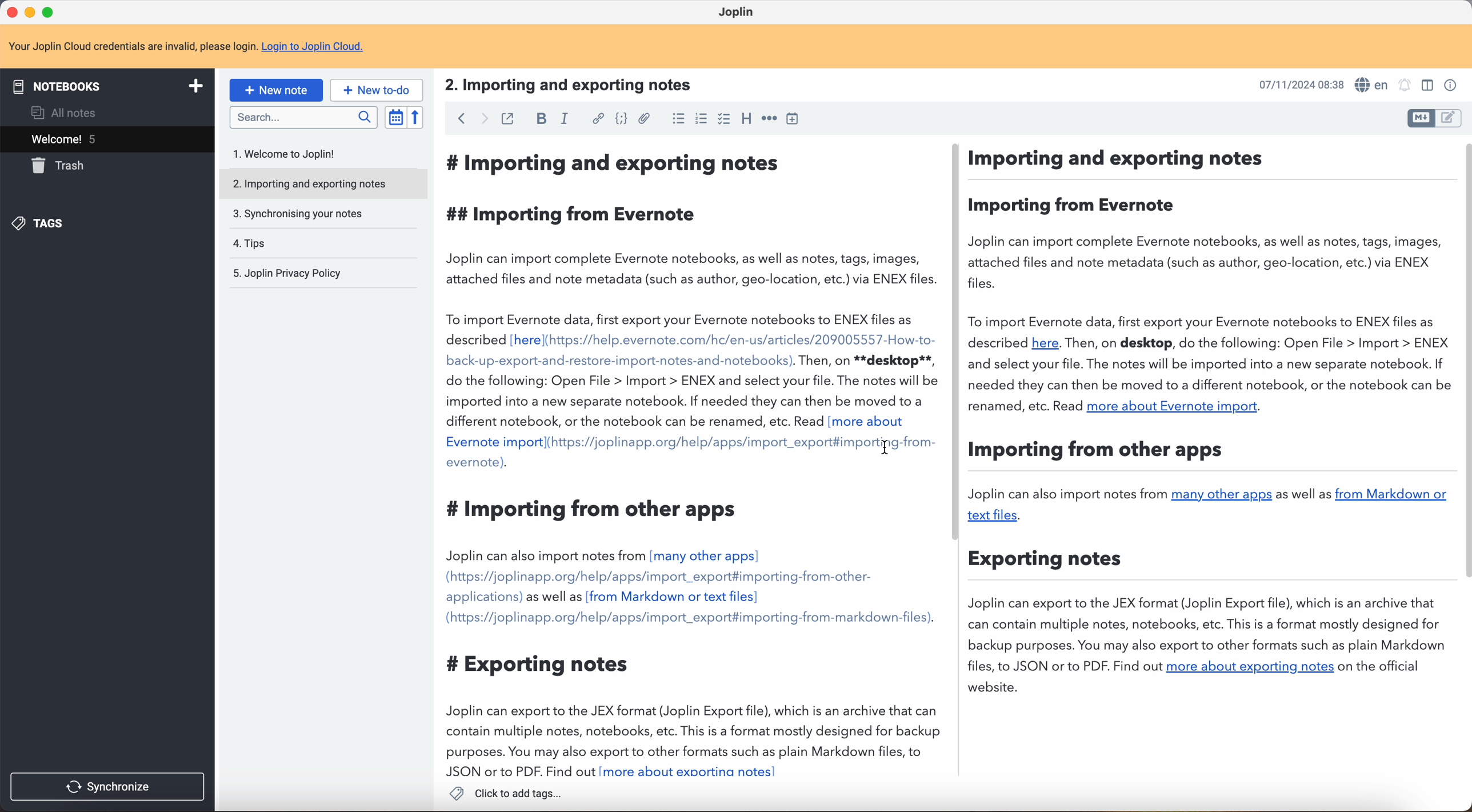 This screenshot has height=812, width=1472. Describe the element at coordinates (1025, 423) in the screenshot. I see `Importing and exporting note Joplin can important complete Evernote notebooks, as well as notes, tags, images, attached files and note metadata (such as as author, geo-location, etc) vía ENEX files. To import Evernote data, first export your Evernote notebooks to ENEX files aside described (here)….` at that location.